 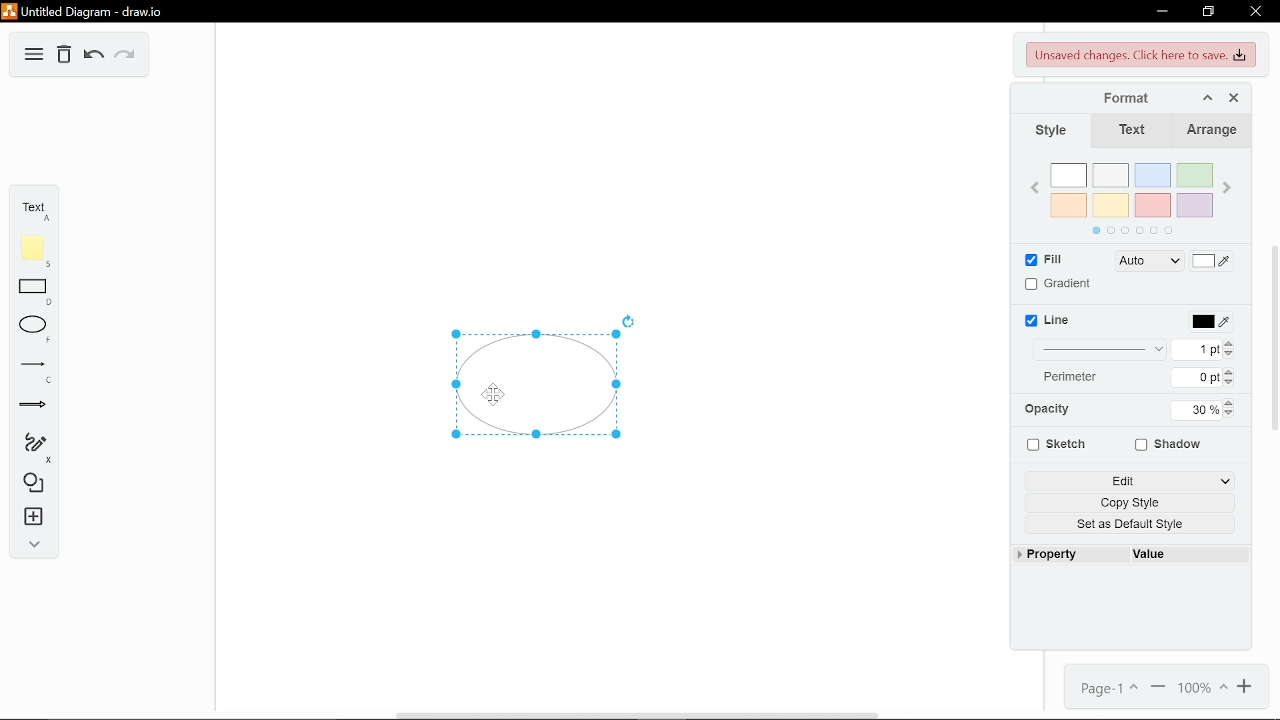 What do you see at coordinates (1205, 688) in the screenshot?
I see `Change zoom` at bounding box center [1205, 688].